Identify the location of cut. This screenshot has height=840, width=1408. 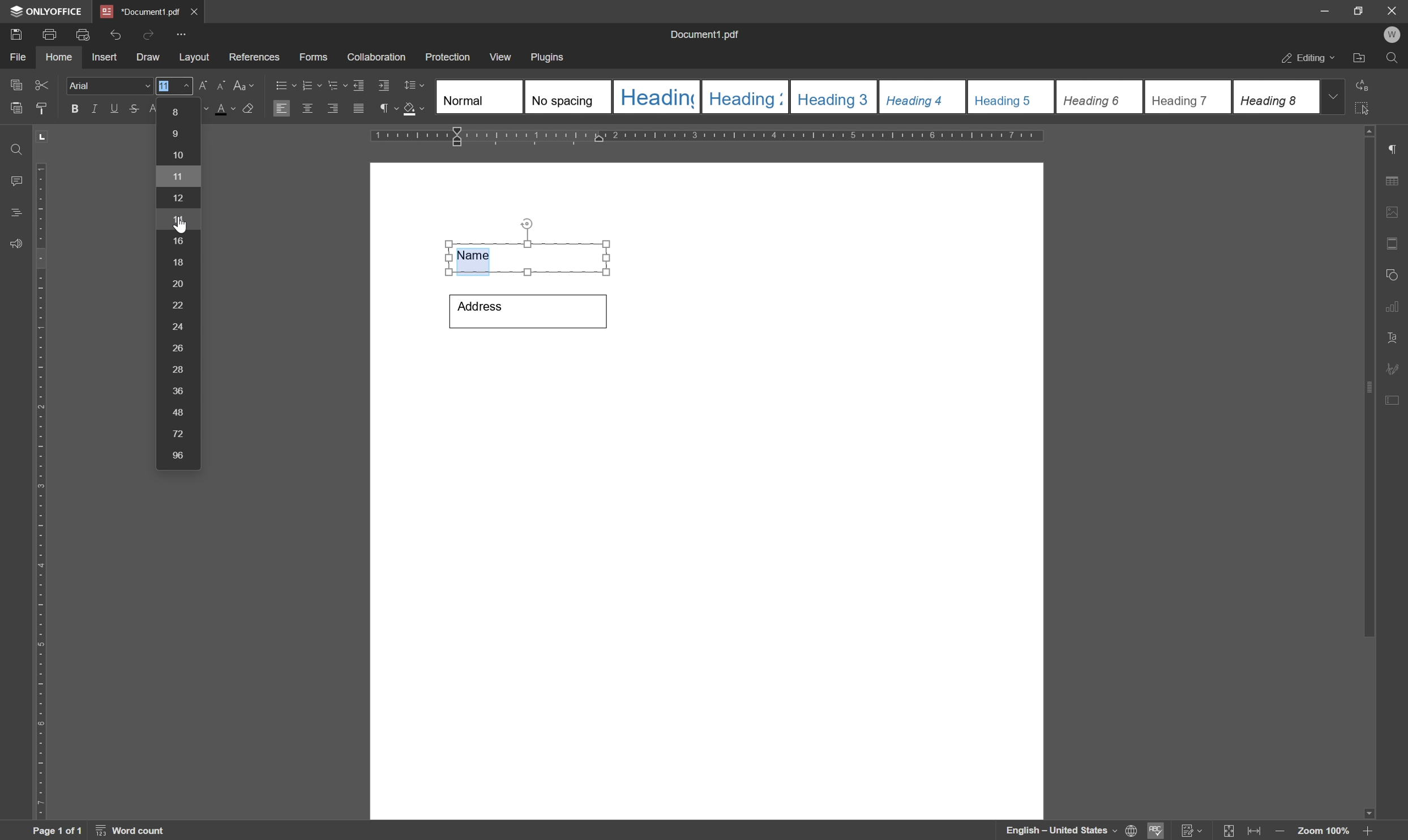
(41, 84).